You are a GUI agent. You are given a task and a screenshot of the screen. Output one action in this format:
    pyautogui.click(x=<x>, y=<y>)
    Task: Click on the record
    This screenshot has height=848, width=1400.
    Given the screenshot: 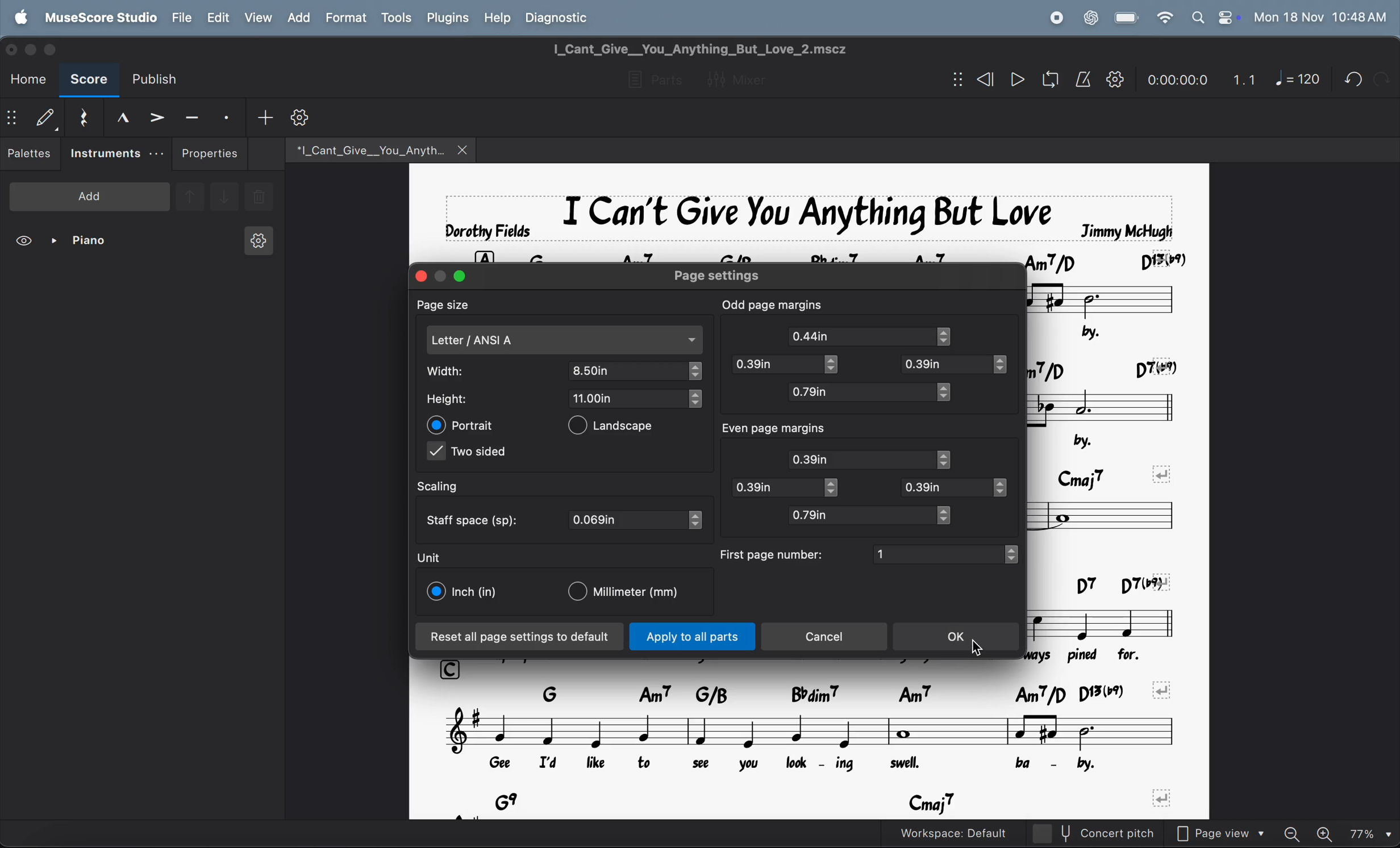 What is the action you would take?
    pyautogui.click(x=1056, y=18)
    